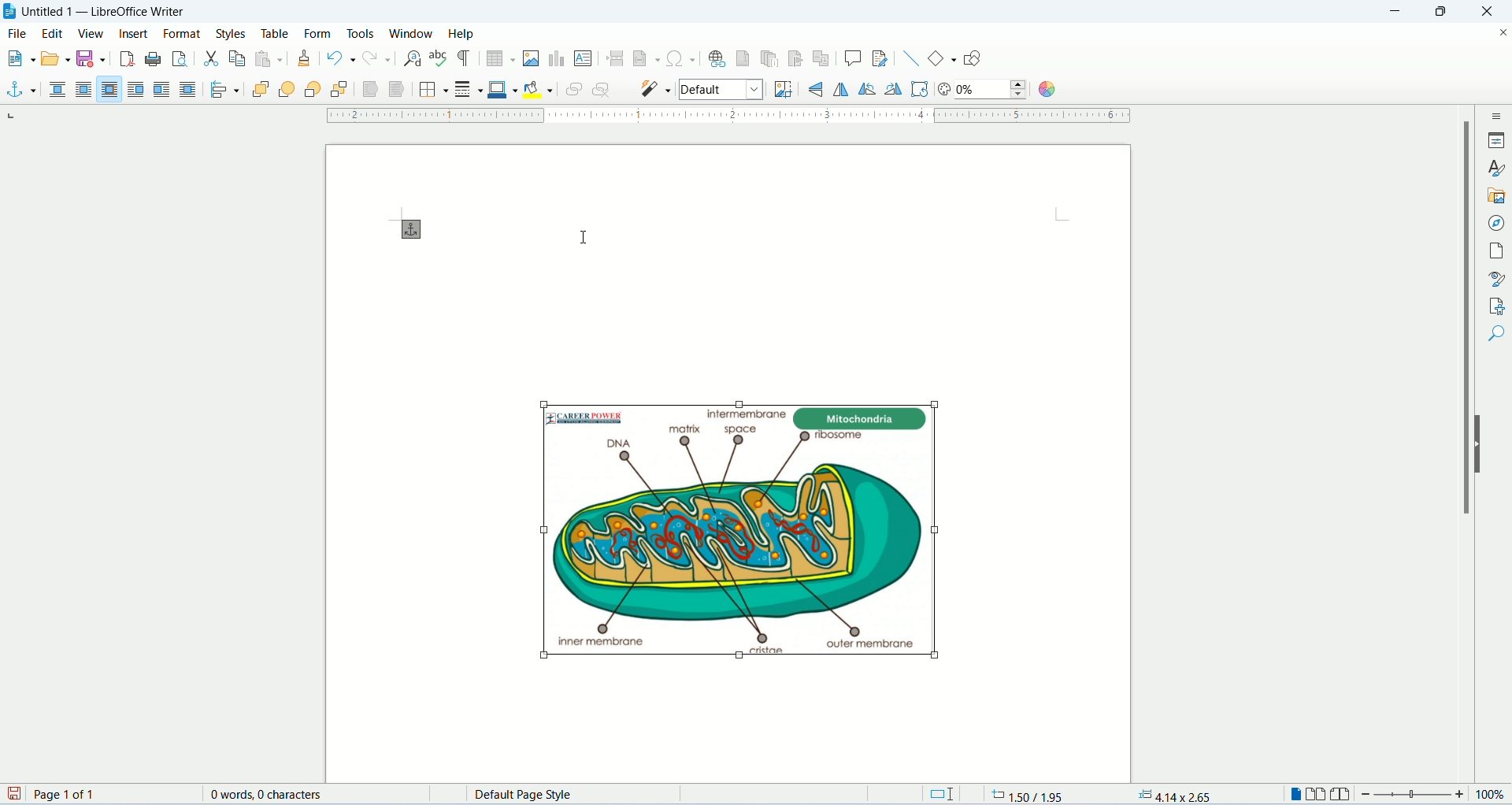  I want to click on basic shapes, so click(943, 58).